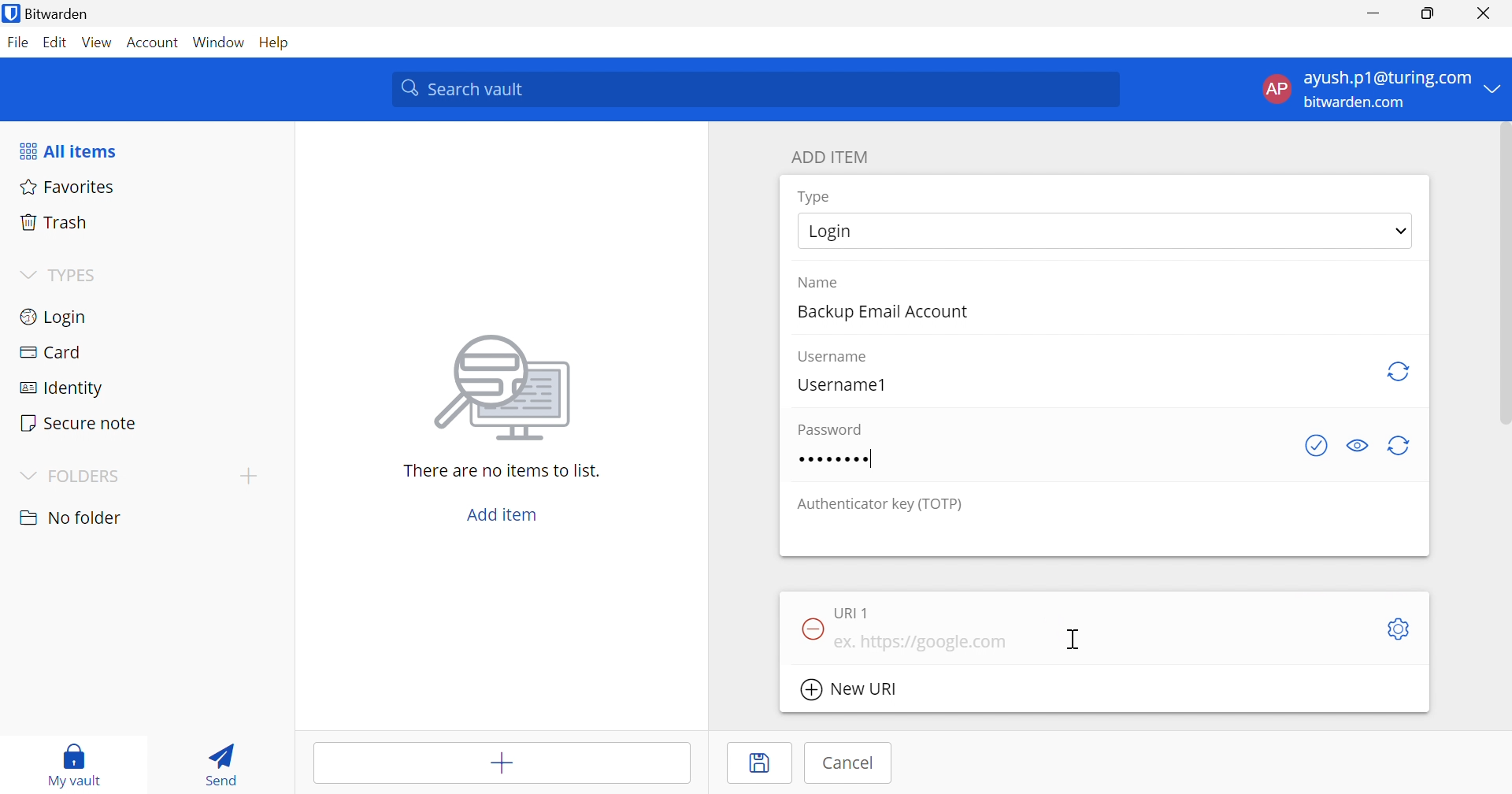  What do you see at coordinates (80, 423) in the screenshot?
I see `Secure notes` at bounding box center [80, 423].